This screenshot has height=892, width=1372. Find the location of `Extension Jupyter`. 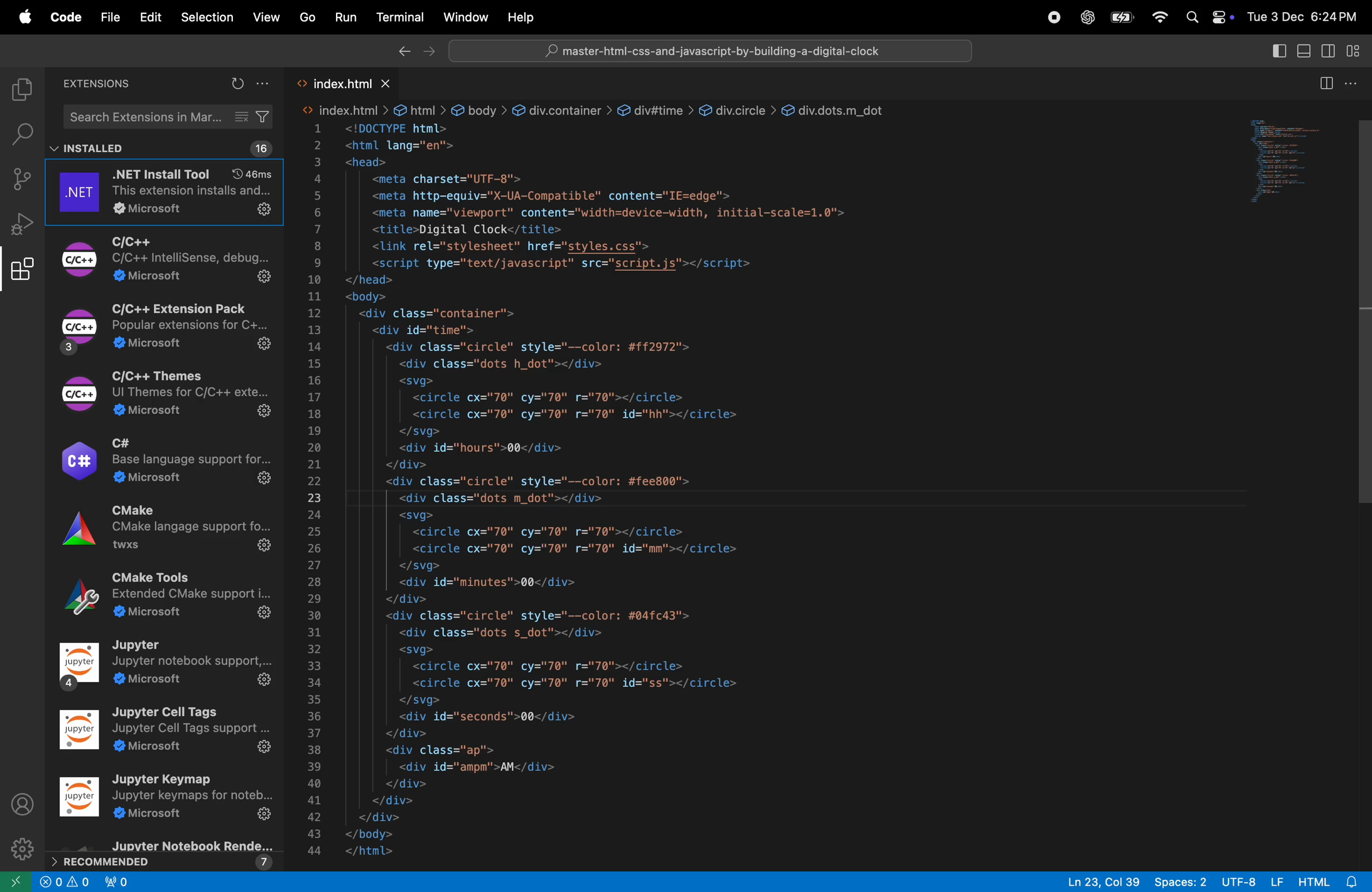

Extension Jupyter is located at coordinates (163, 665).